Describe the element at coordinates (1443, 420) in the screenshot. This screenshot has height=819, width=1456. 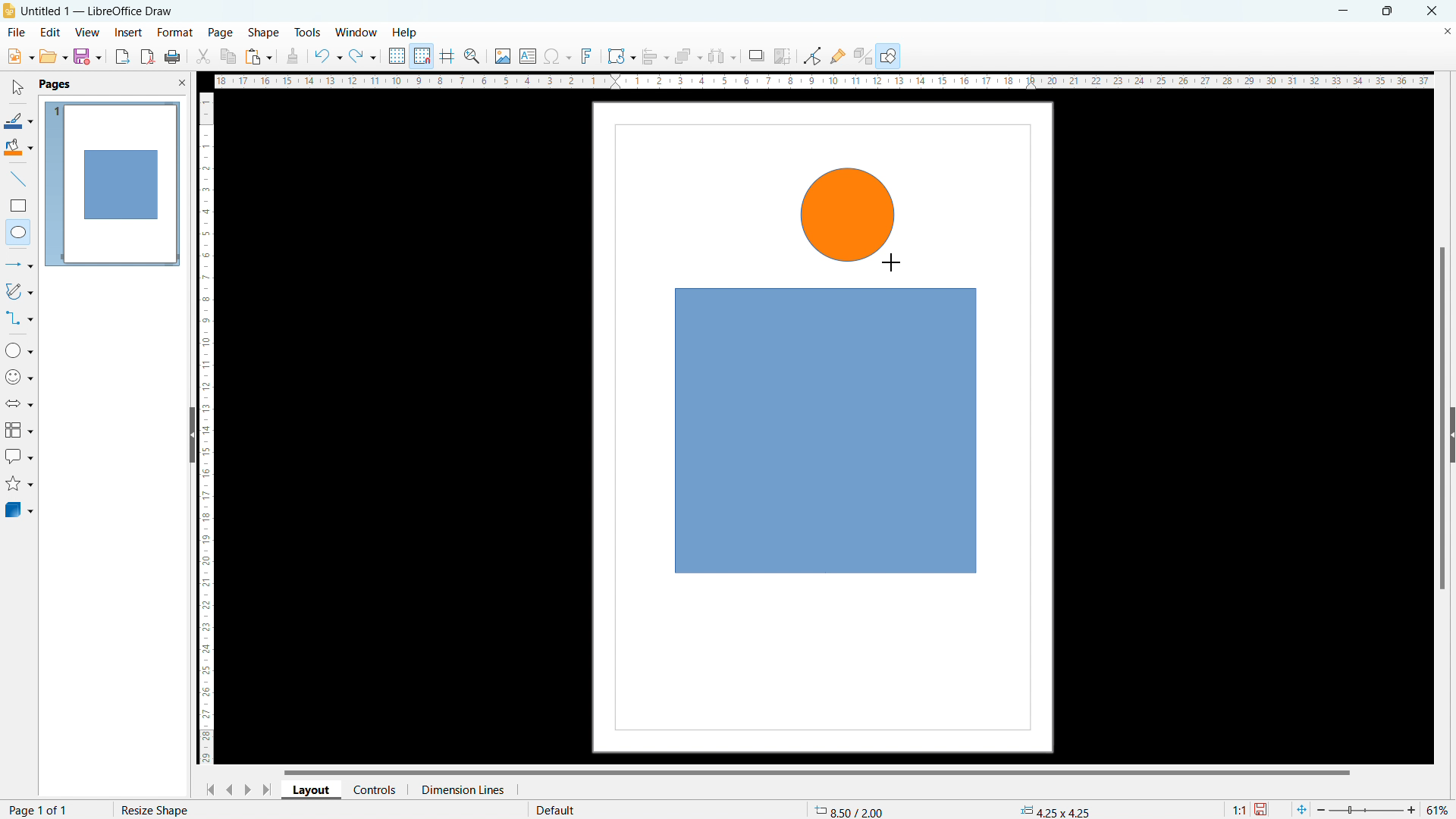
I see `vertical scrollbar` at that location.